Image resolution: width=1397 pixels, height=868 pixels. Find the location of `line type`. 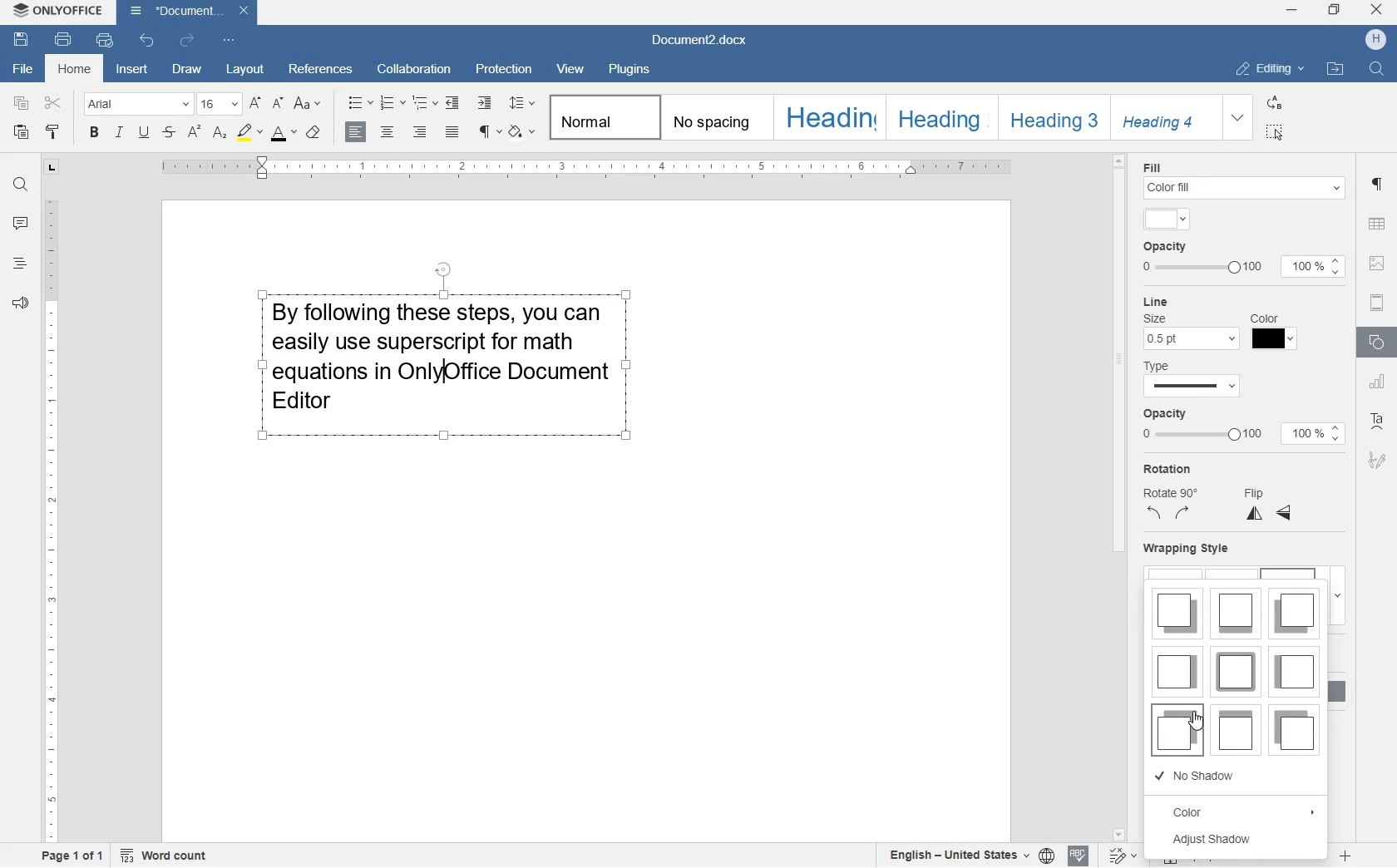

line type is located at coordinates (1204, 379).